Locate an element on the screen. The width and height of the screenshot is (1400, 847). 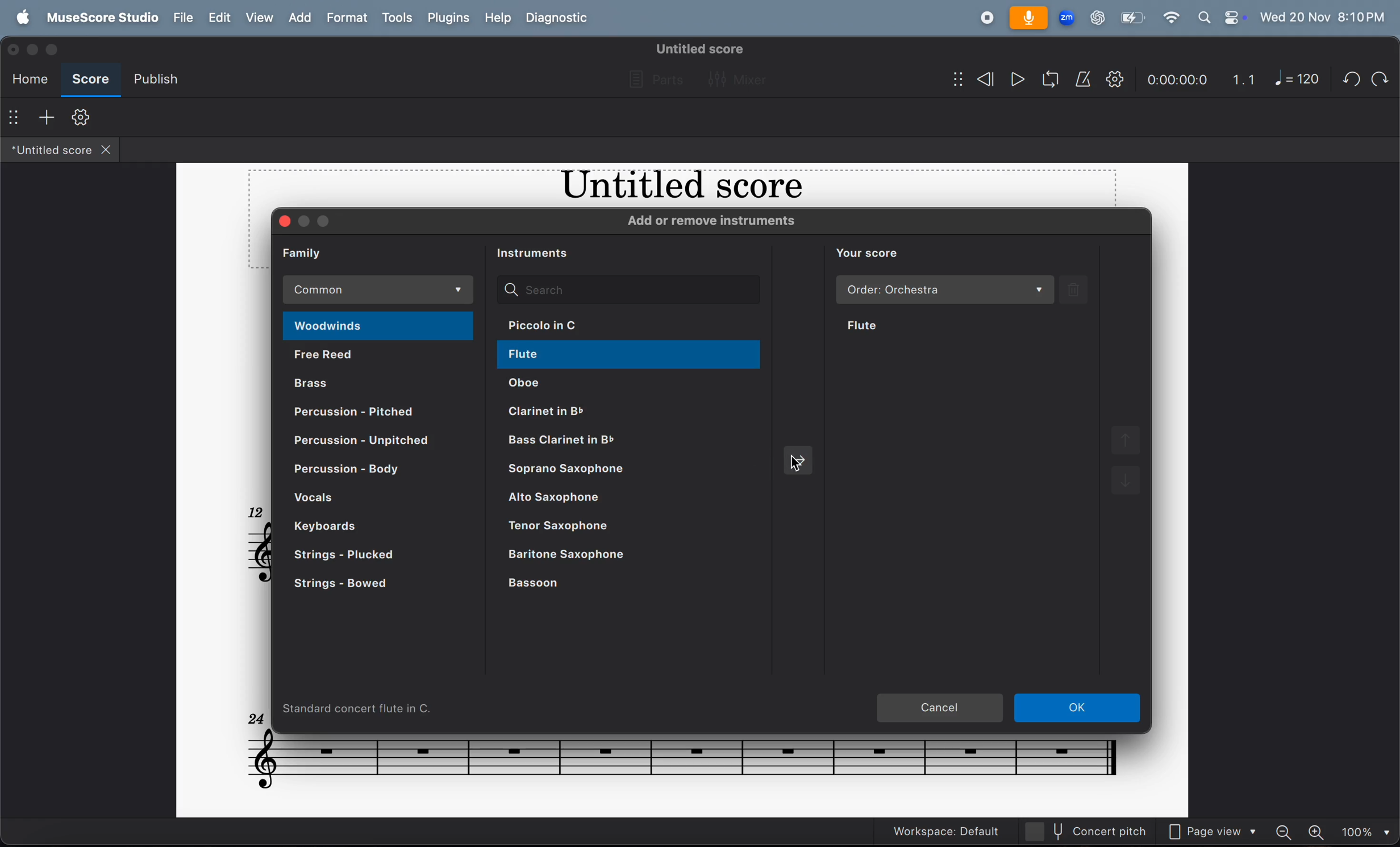
piccolo in c is located at coordinates (625, 326).